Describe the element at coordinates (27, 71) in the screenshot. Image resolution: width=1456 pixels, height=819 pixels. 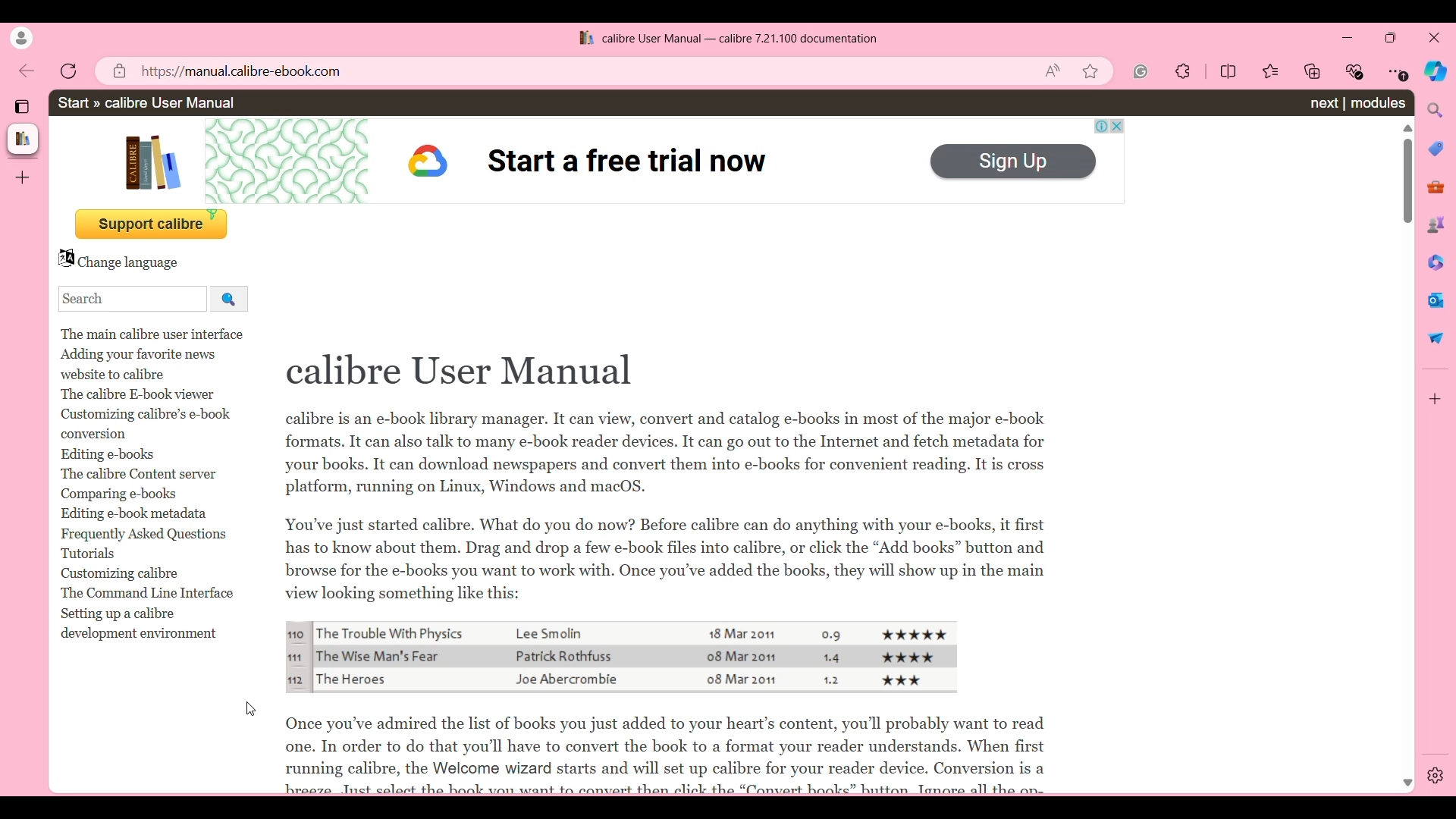
I see `Go back` at that location.